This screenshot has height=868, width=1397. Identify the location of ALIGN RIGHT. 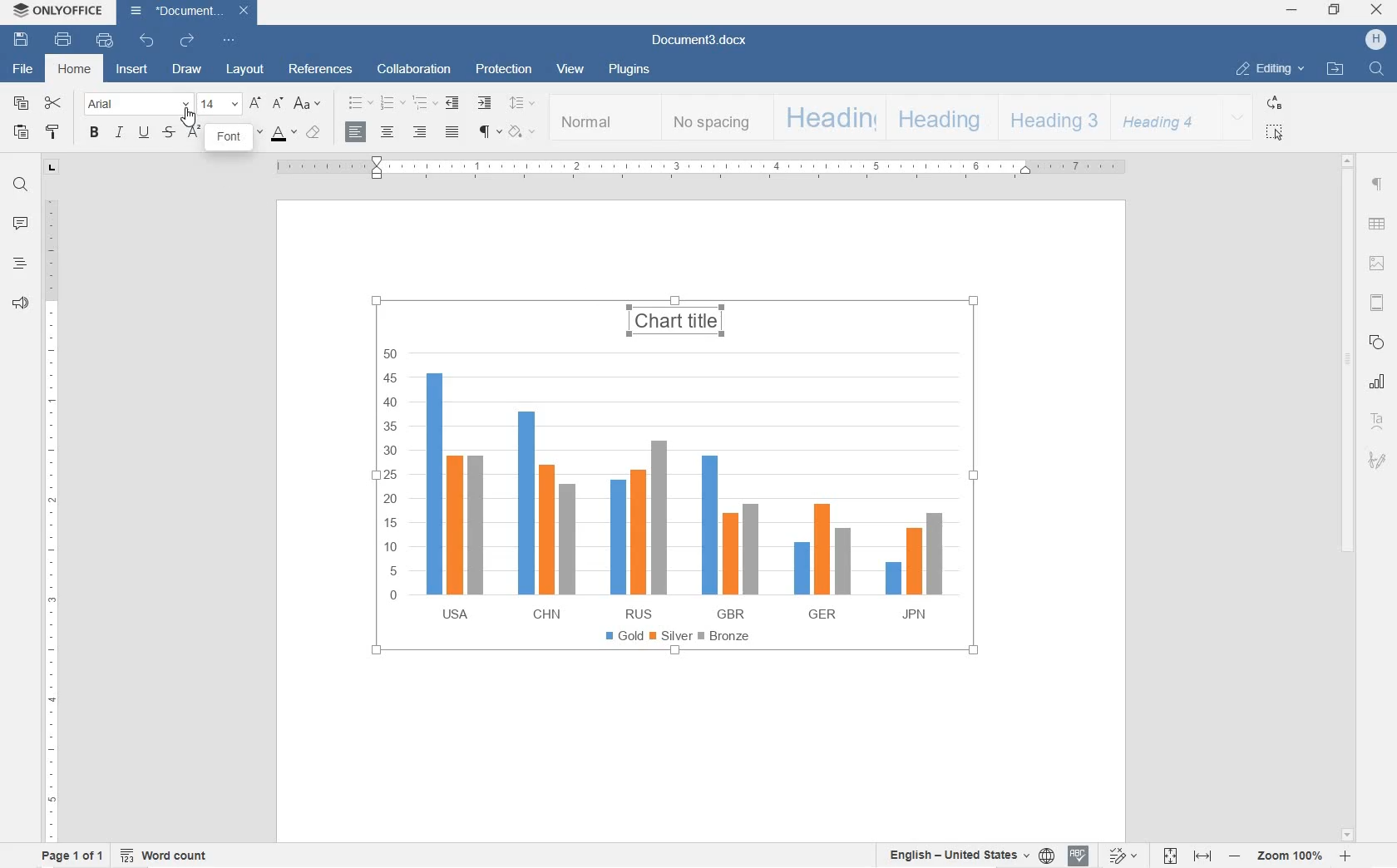
(420, 132).